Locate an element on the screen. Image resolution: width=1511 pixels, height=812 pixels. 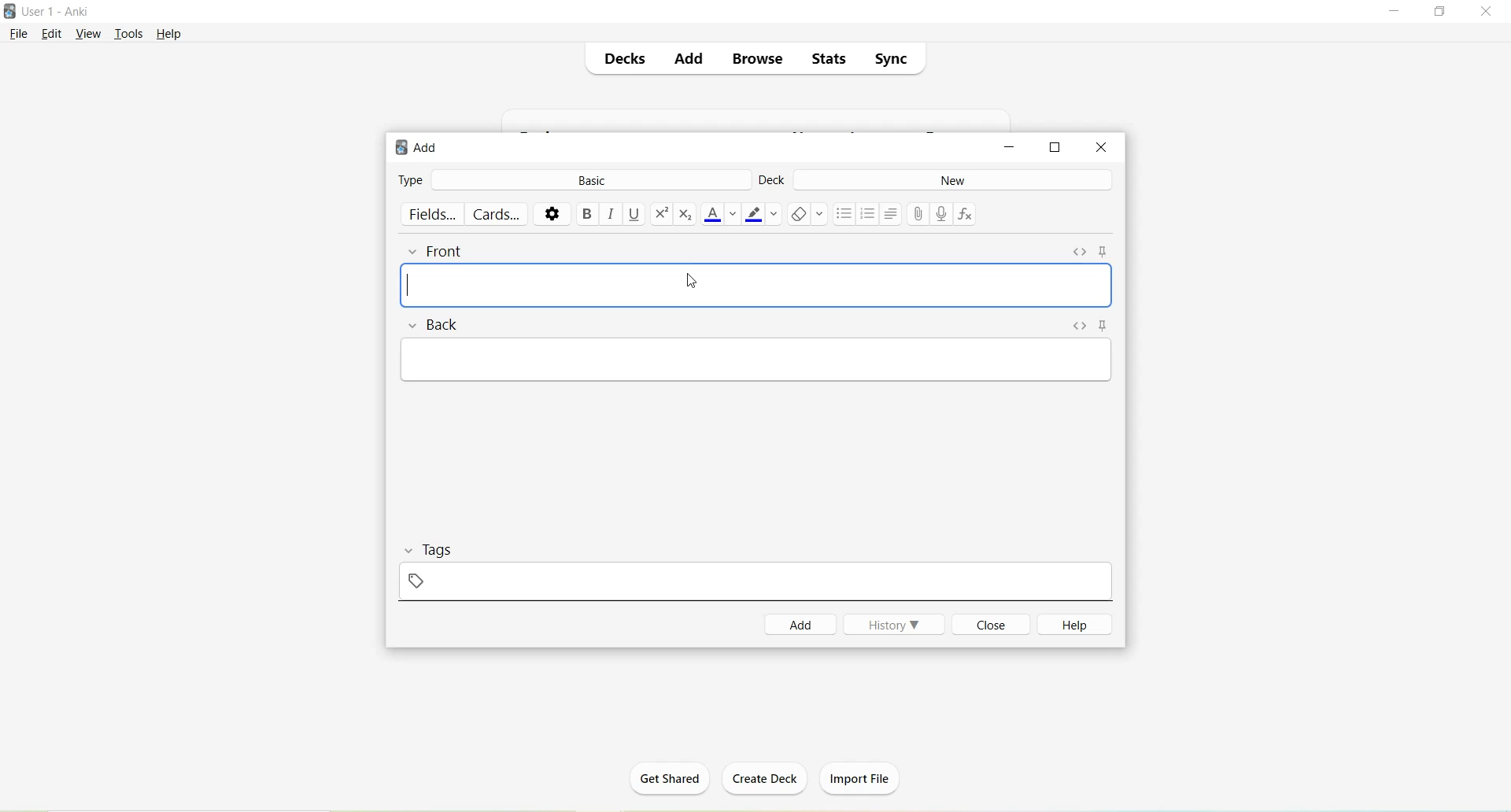
Front is located at coordinates (448, 252).